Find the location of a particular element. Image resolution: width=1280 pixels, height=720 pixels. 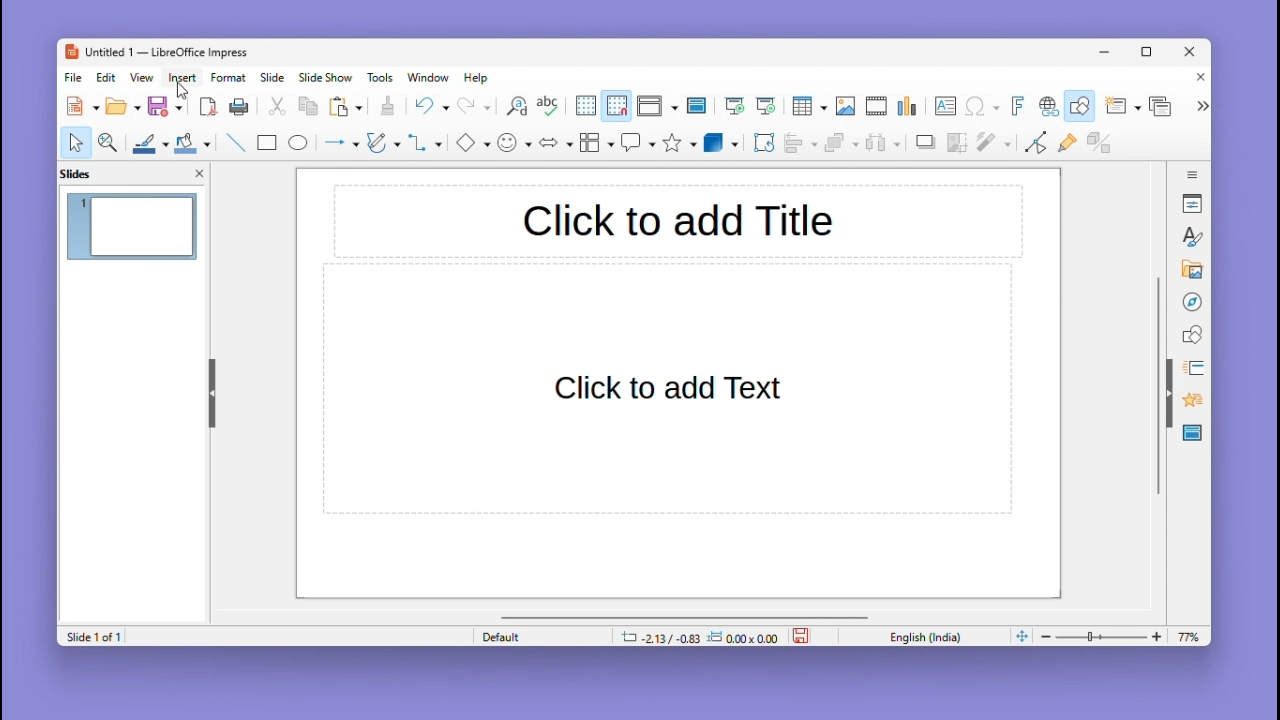

Slide one of one is located at coordinates (91, 637).